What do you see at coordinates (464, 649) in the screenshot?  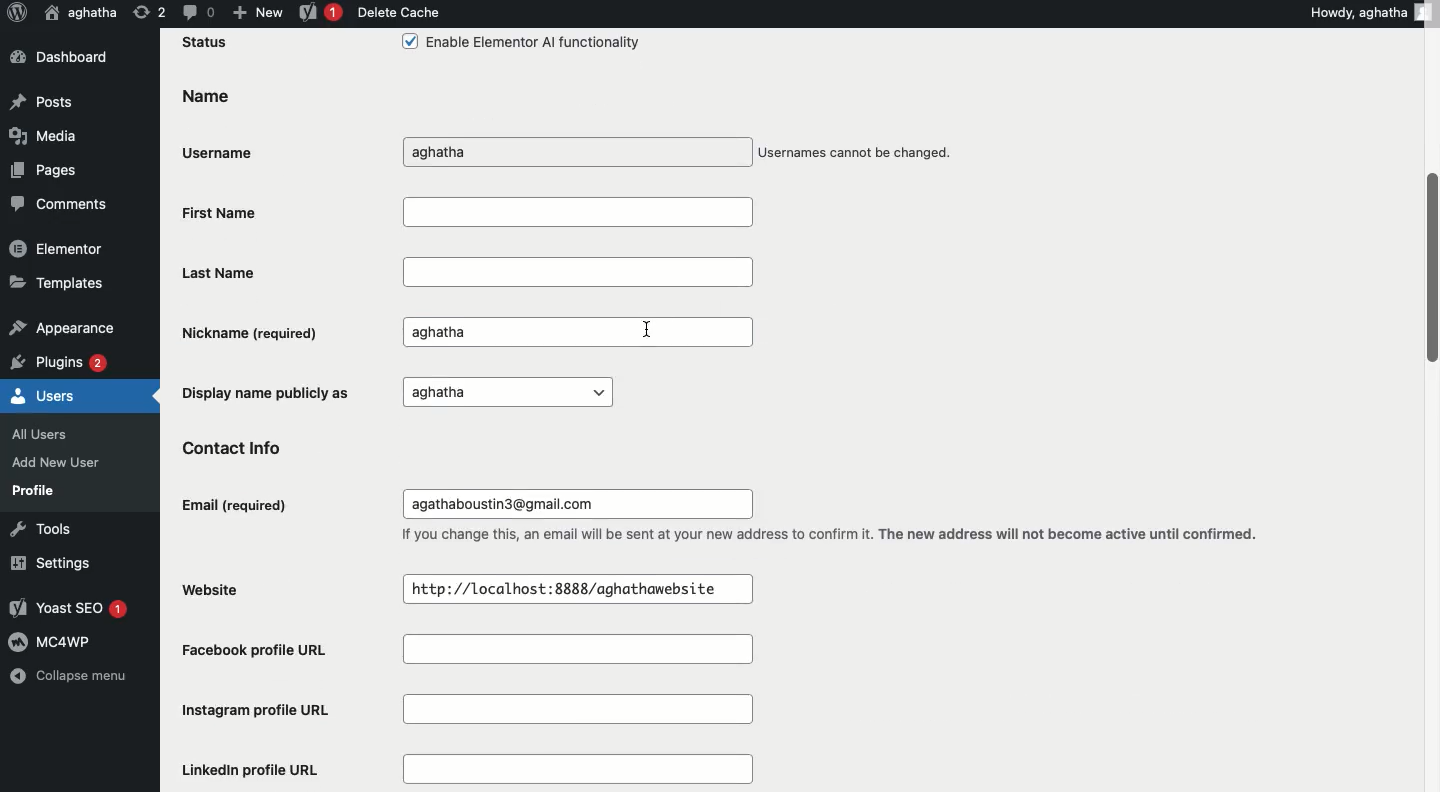 I see `Facebook profile URL` at bounding box center [464, 649].